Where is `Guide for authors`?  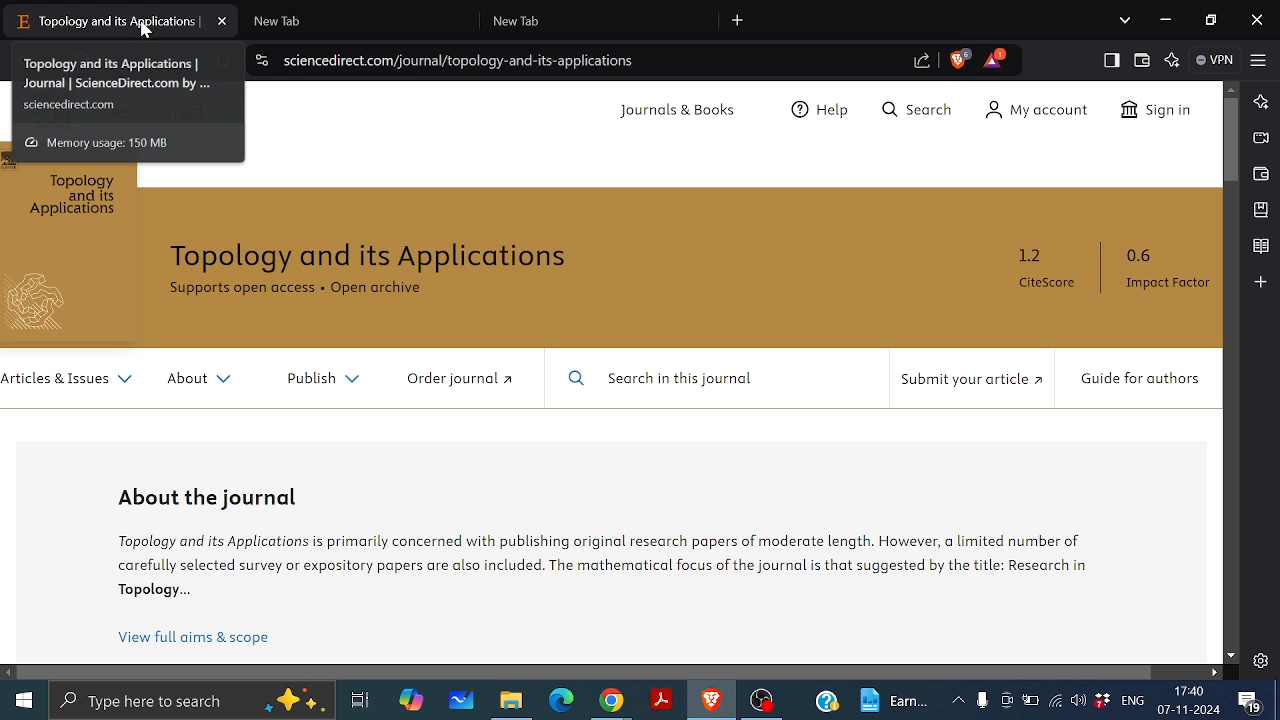 Guide for authors is located at coordinates (1138, 380).